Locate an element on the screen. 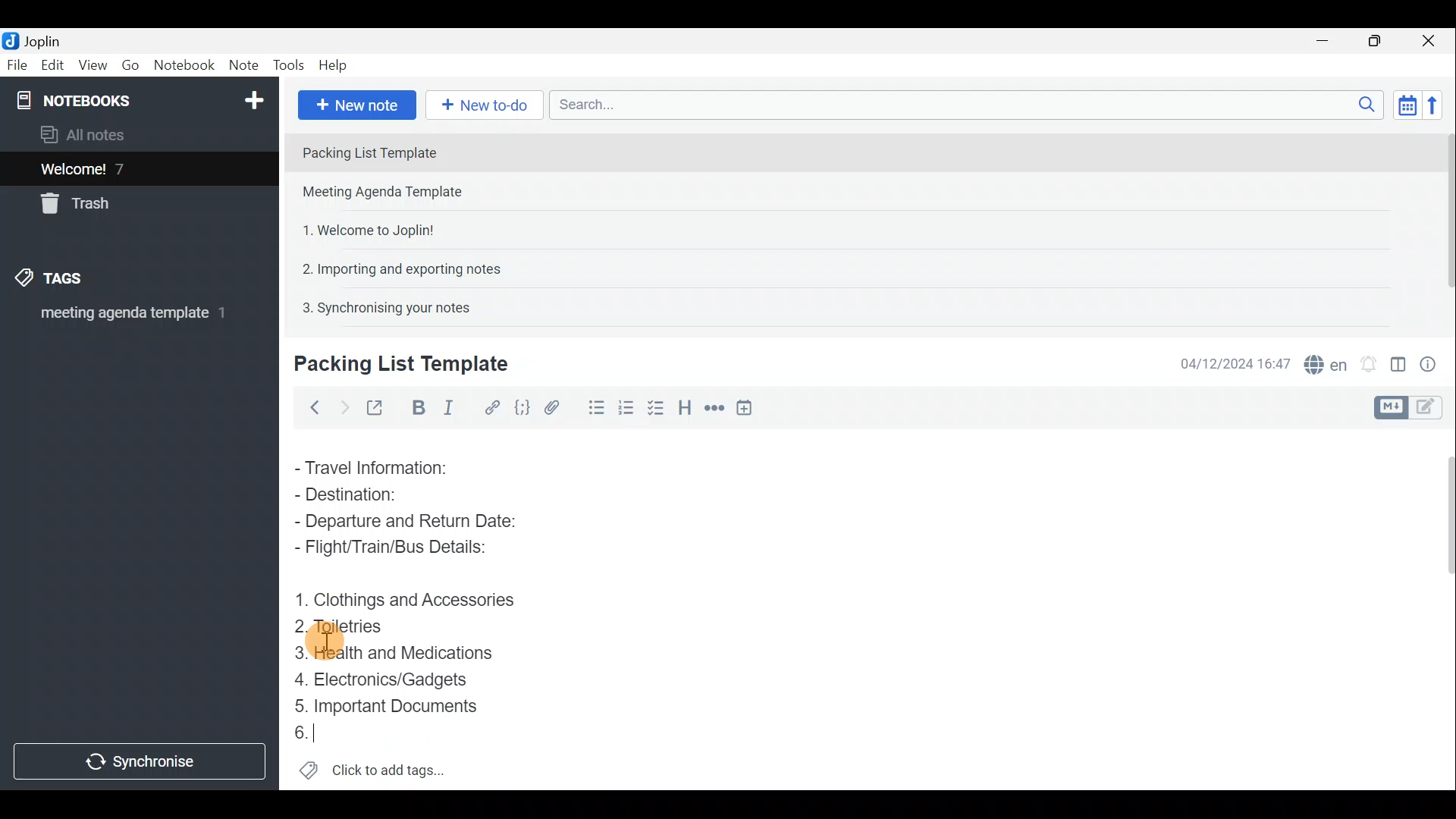 The width and height of the screenshot is (1456, 819). Trash is located at coordinates (81, 206).